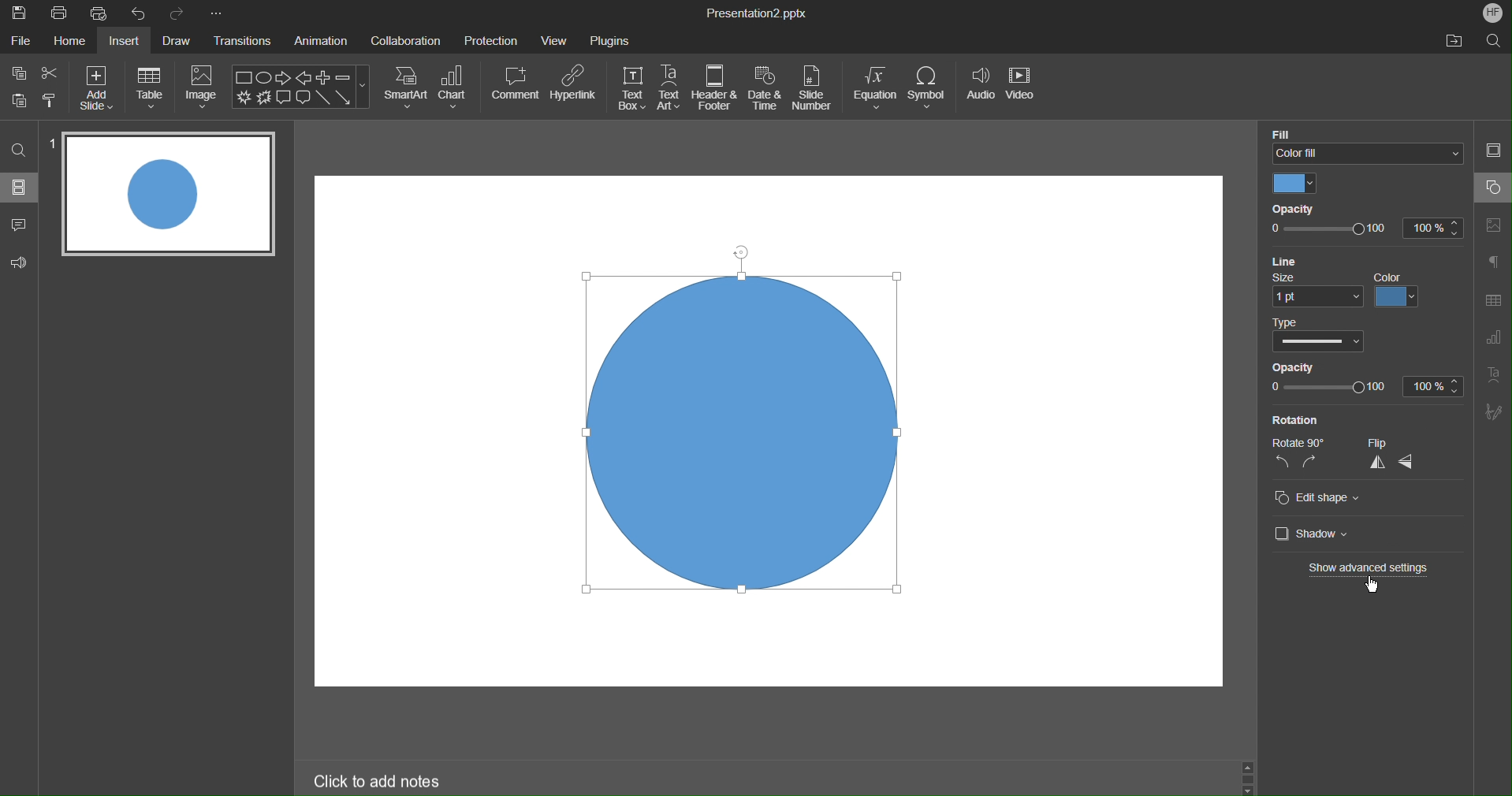  What do you see at coordinates (890, 655) in the screenshot?
I see `workspace` at bounding box center [890, 655].